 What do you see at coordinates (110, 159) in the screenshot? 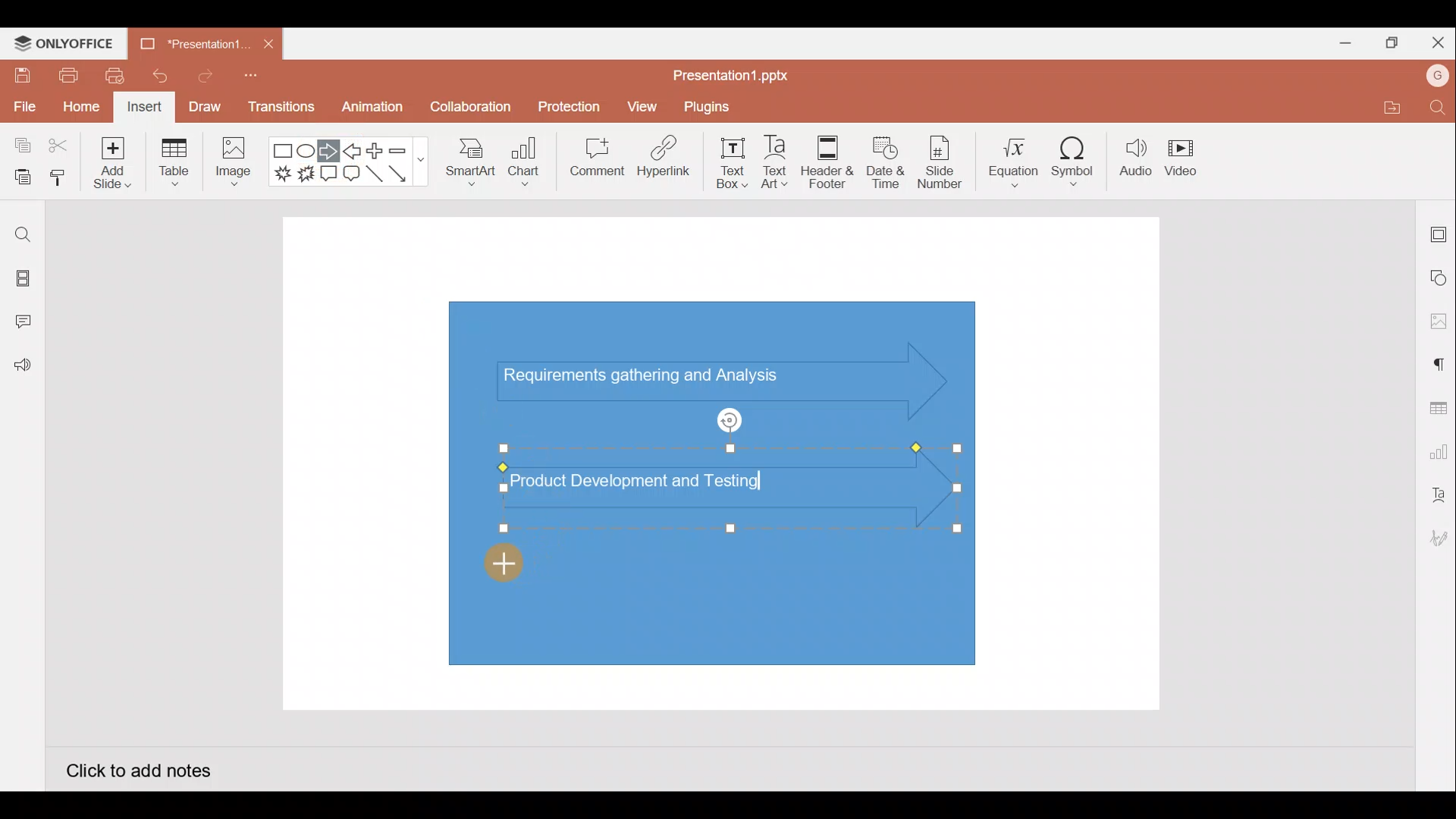
I see `Add slide` at bounding box center [110, 159].